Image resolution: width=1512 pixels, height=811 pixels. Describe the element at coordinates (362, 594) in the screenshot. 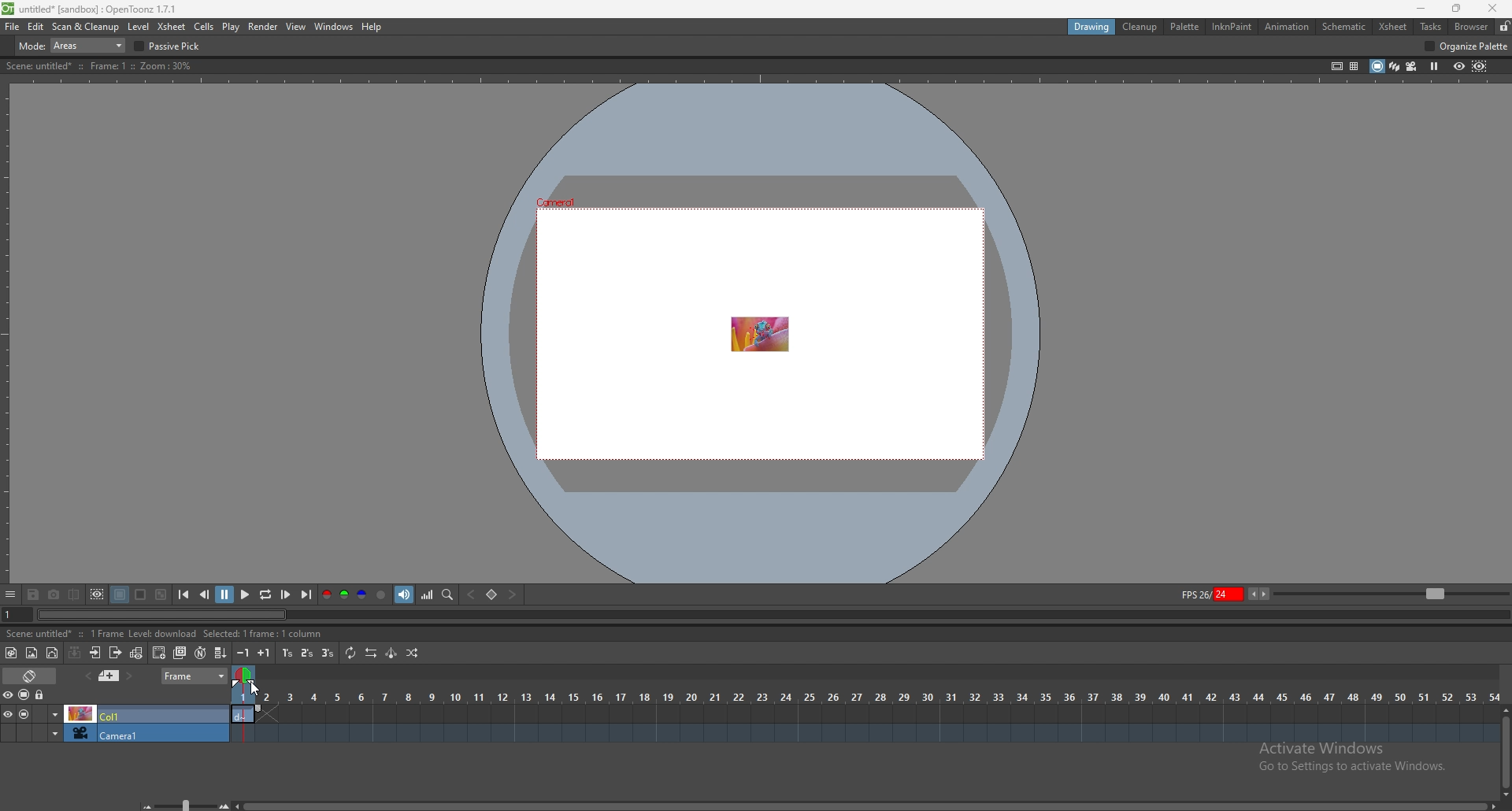

I see `blue channel` at that location.